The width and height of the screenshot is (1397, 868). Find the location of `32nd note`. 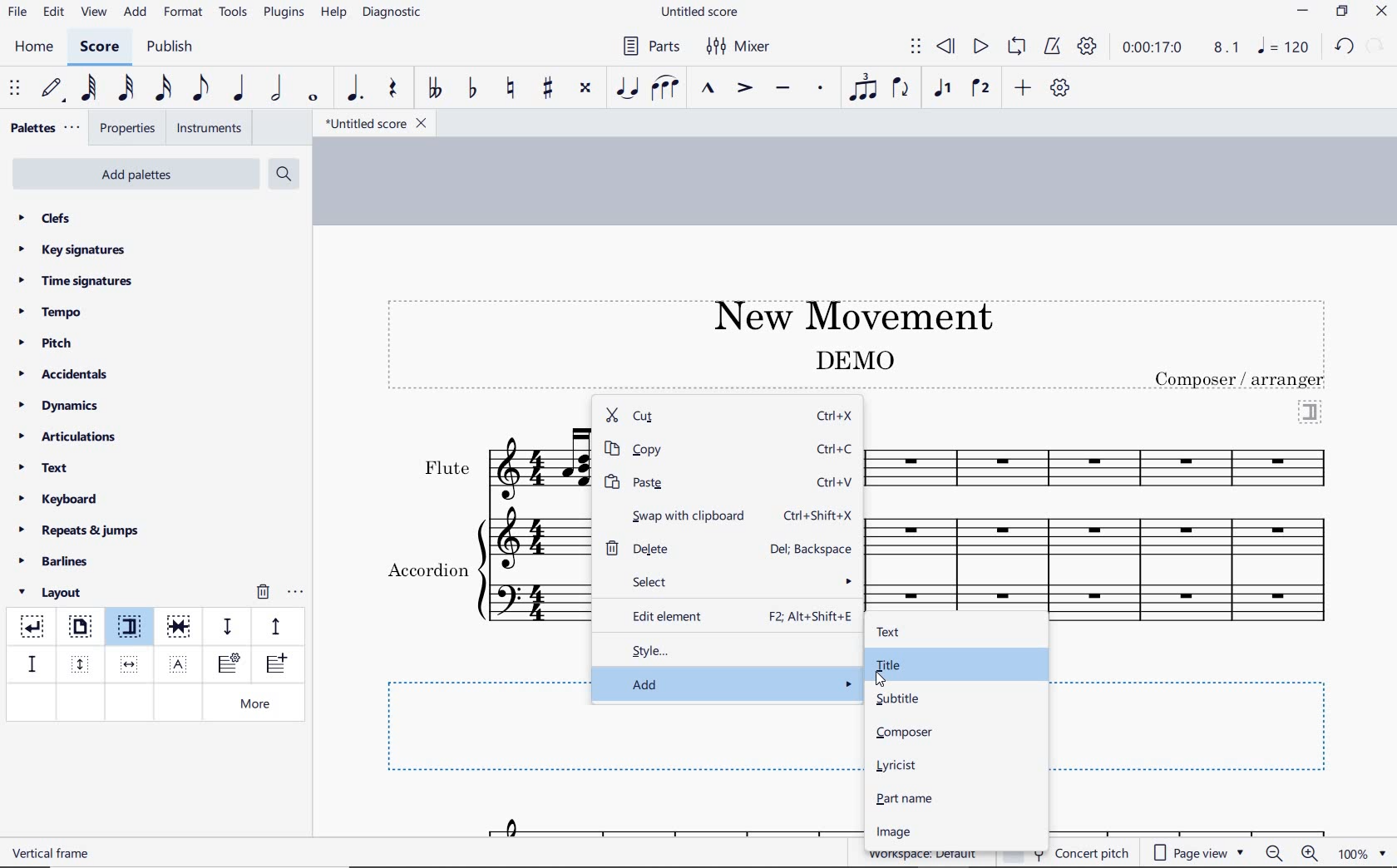

32nd note is located at coordinates (125, 89).